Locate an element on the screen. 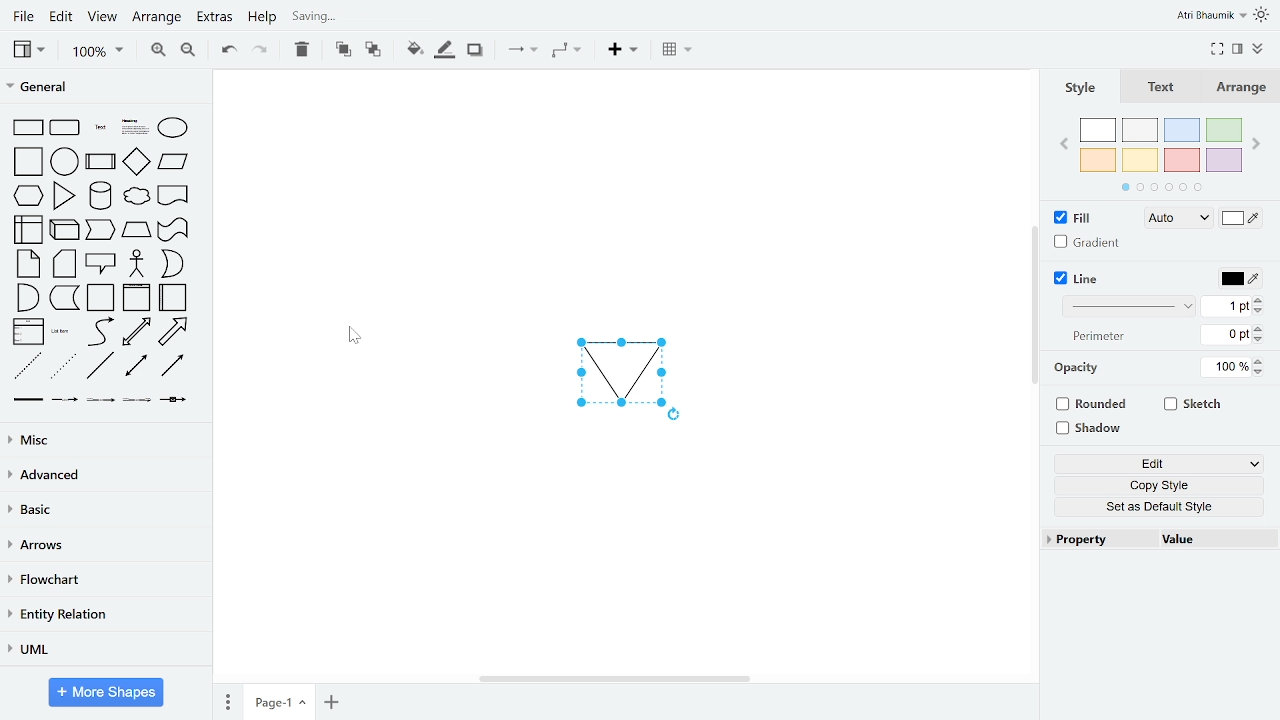 This screenshot has width=1280, height=720. advanced is located at coordinates (103, 477).